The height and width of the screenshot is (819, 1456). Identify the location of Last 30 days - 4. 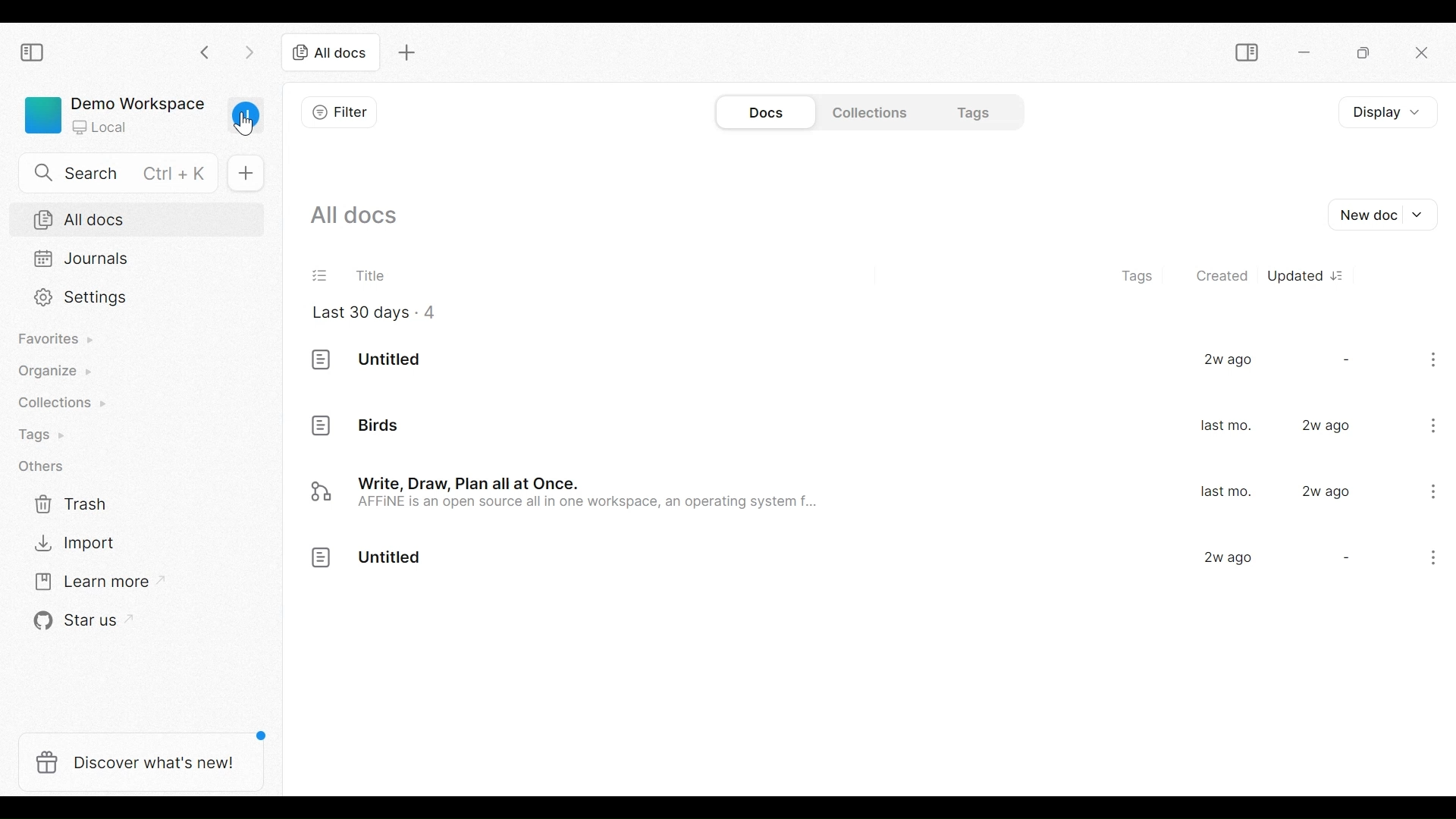
(372, 314).